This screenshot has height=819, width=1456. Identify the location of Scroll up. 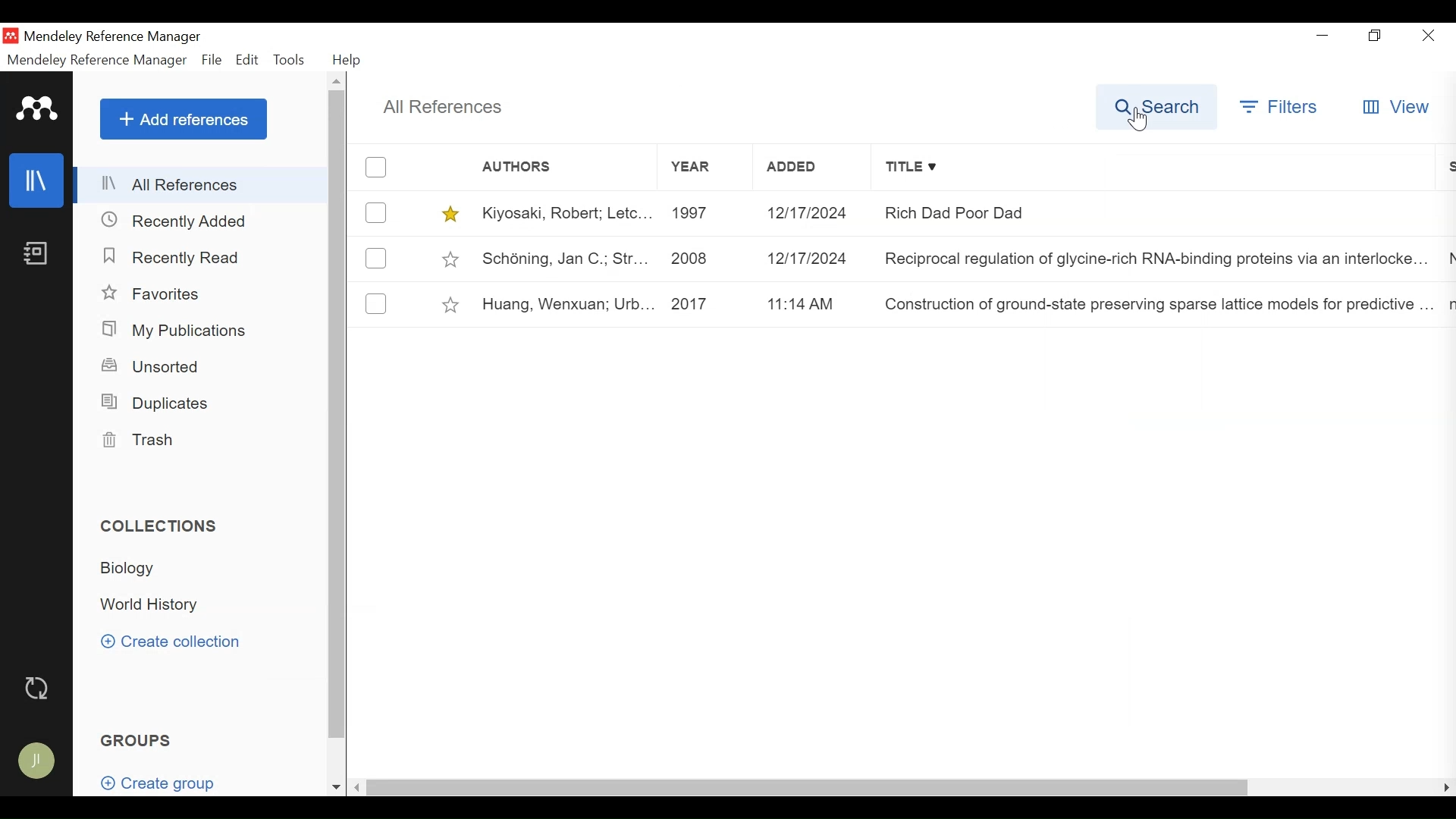
(338, 81).